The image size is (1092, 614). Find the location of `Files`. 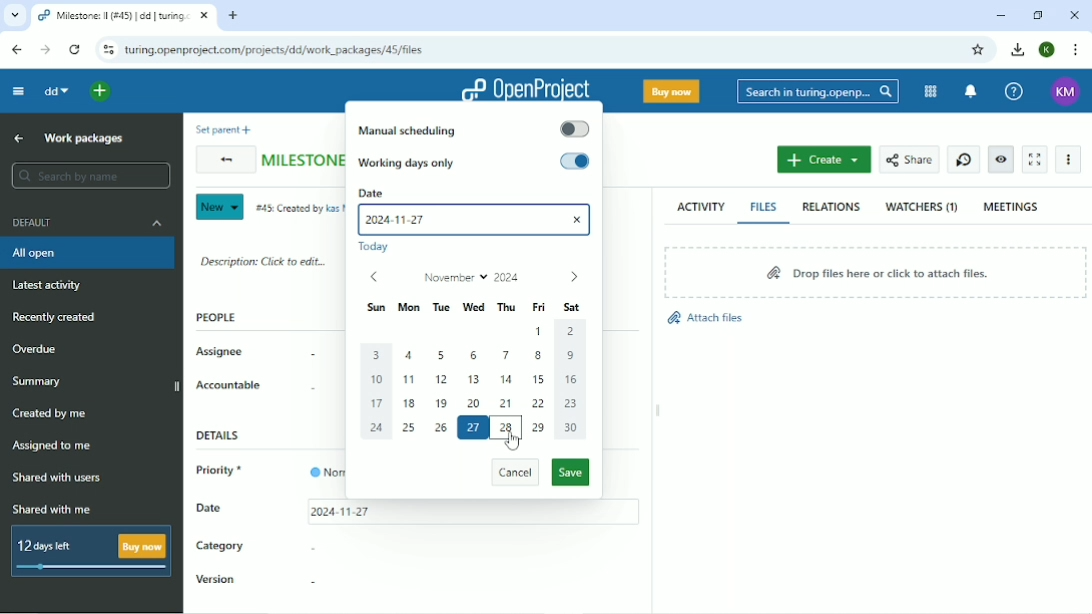

Files is located at coordinates (764, 206).